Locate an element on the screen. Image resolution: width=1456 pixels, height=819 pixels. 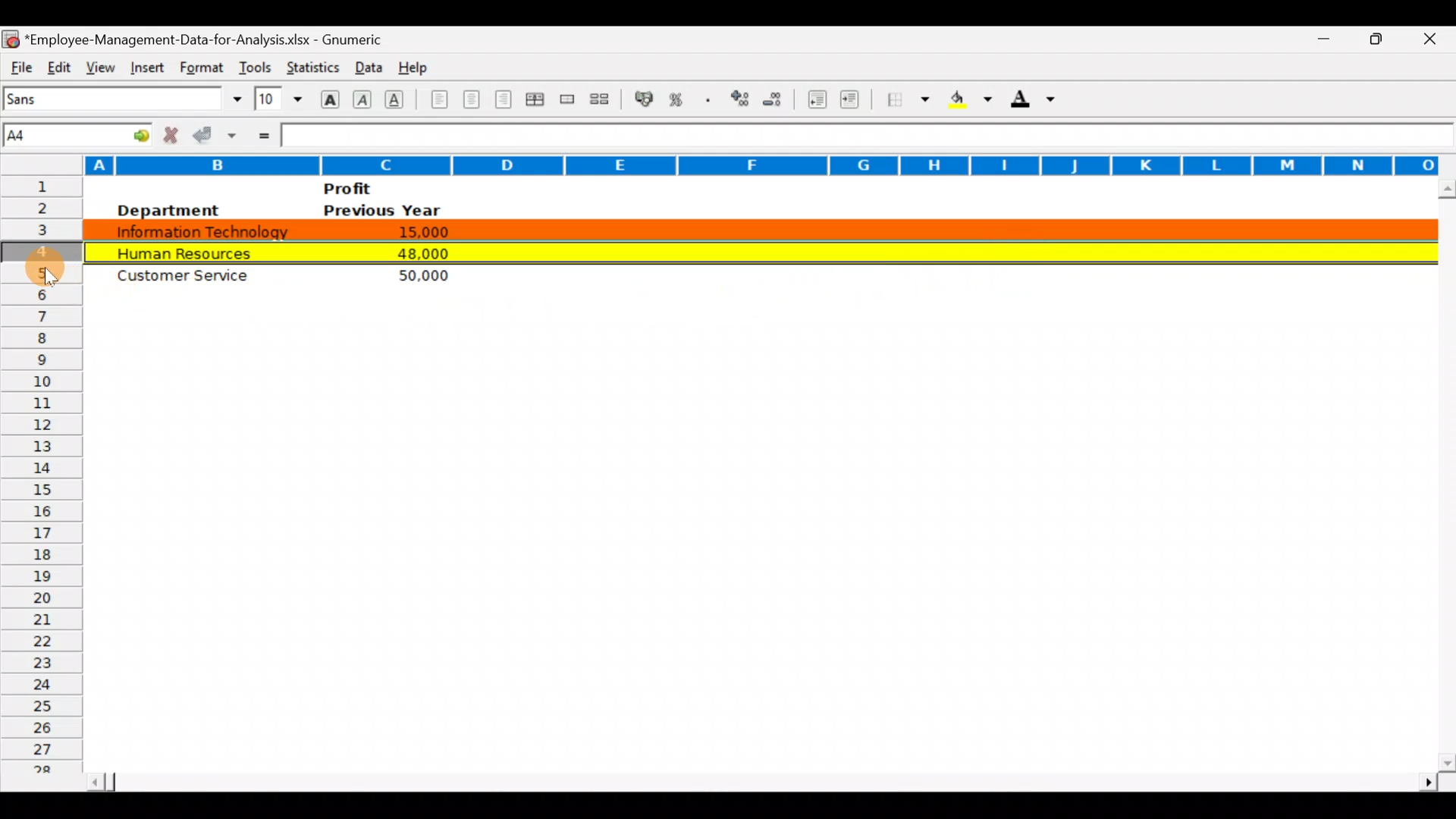
Increase decimals is located at coordinates (742, 98).